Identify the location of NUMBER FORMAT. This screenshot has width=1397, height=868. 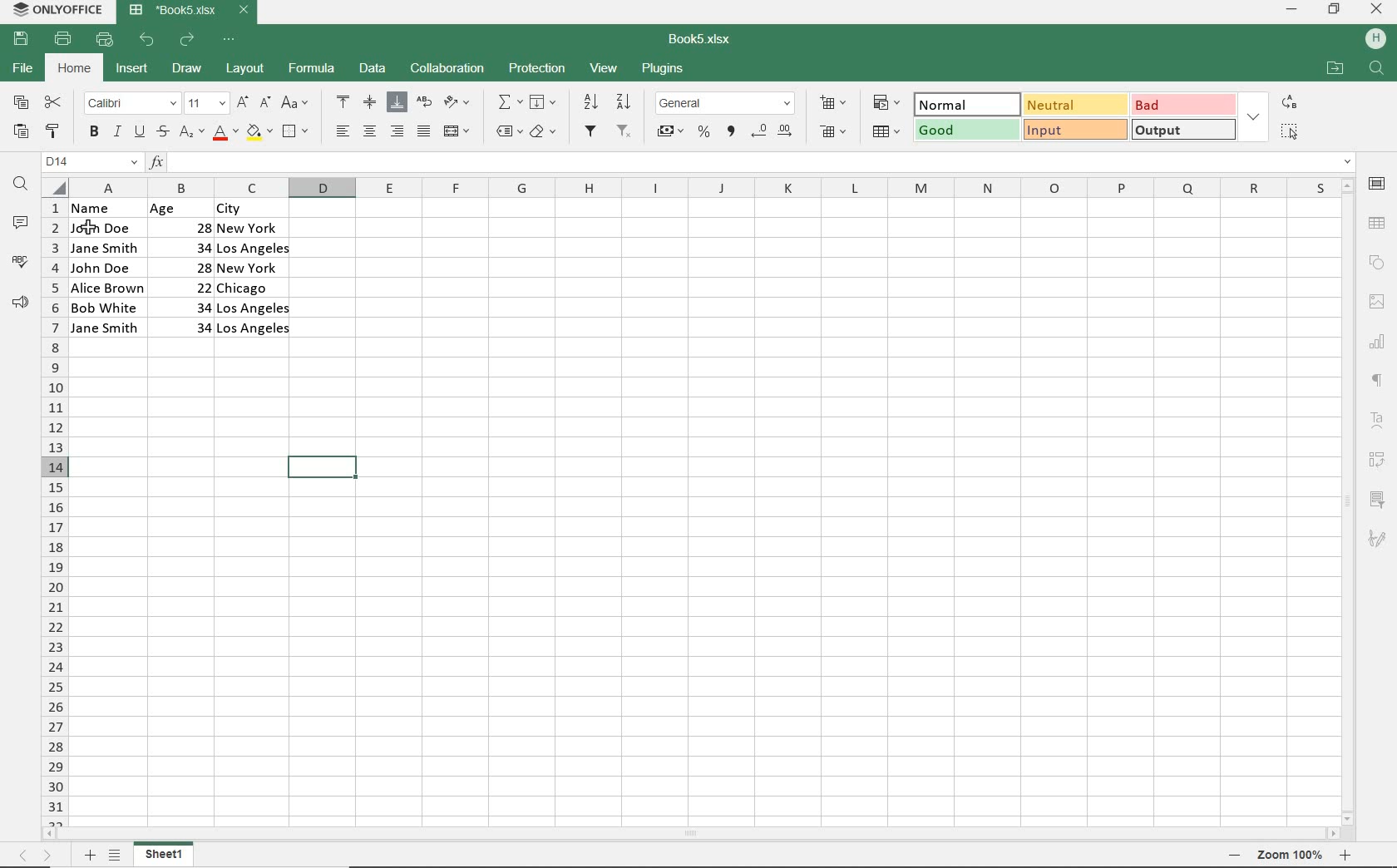
(727, 102).